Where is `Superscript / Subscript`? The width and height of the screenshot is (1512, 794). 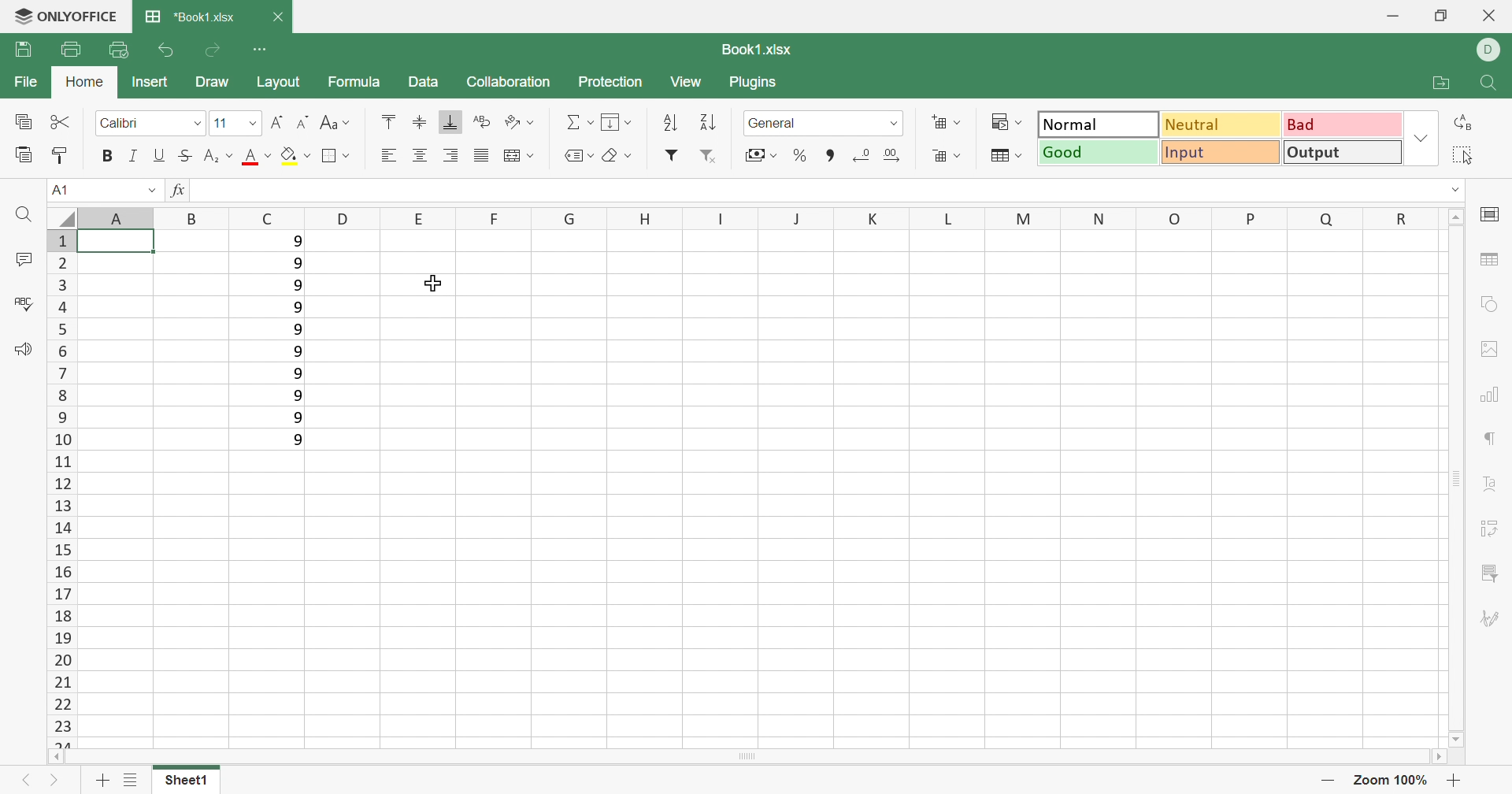 Superscript / Subscript is located at coordinates (216, 157).